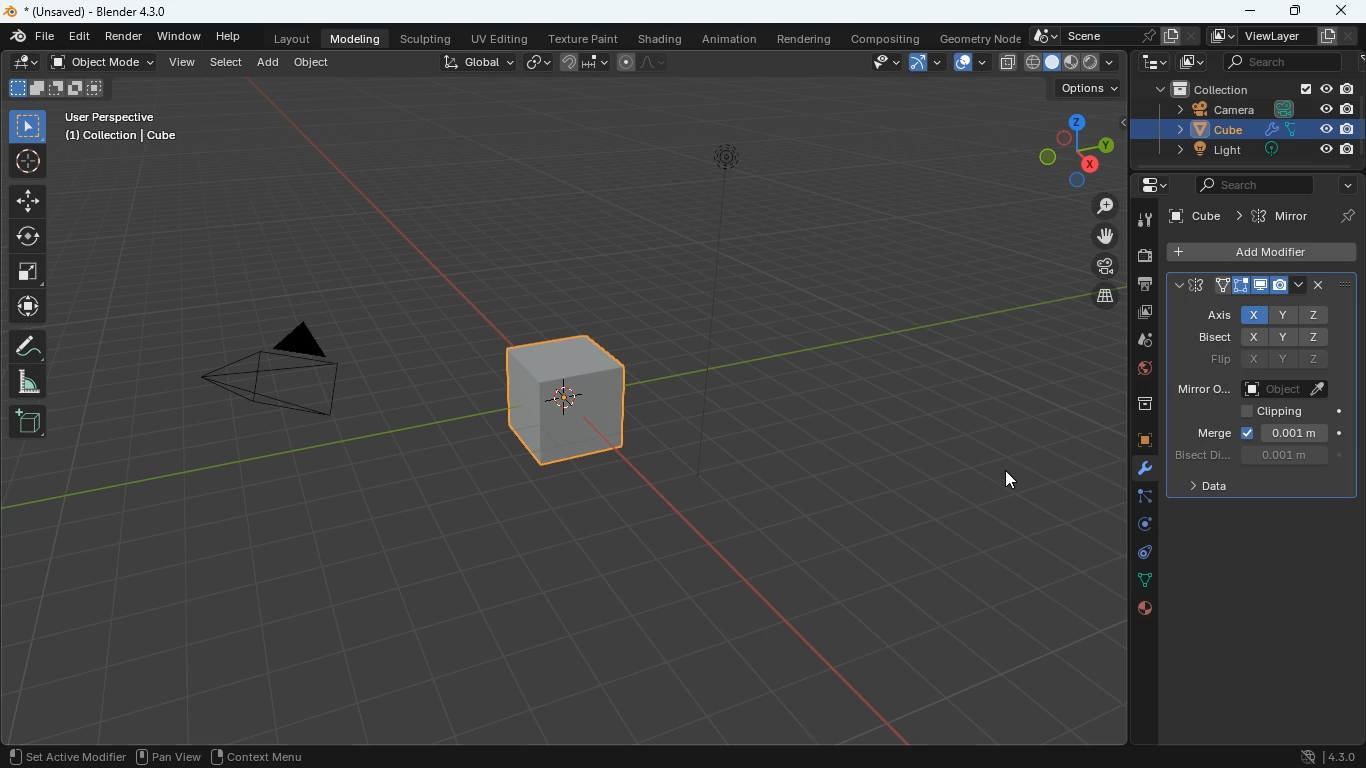 The height and width of the screenshot is (768, 1366). What do you see at coordinates (974, 37) in the screenshot?
I see `geometry node` at bounding box center [974, 37].